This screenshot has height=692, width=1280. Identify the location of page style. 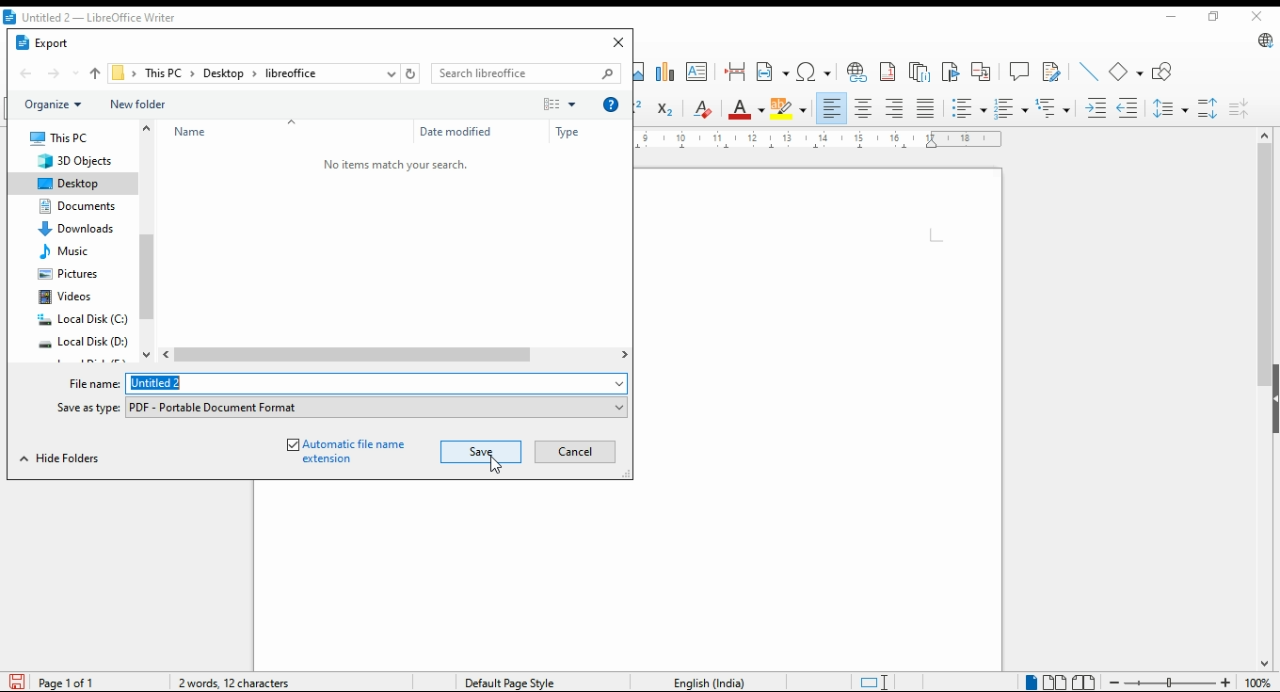
(524, 682).